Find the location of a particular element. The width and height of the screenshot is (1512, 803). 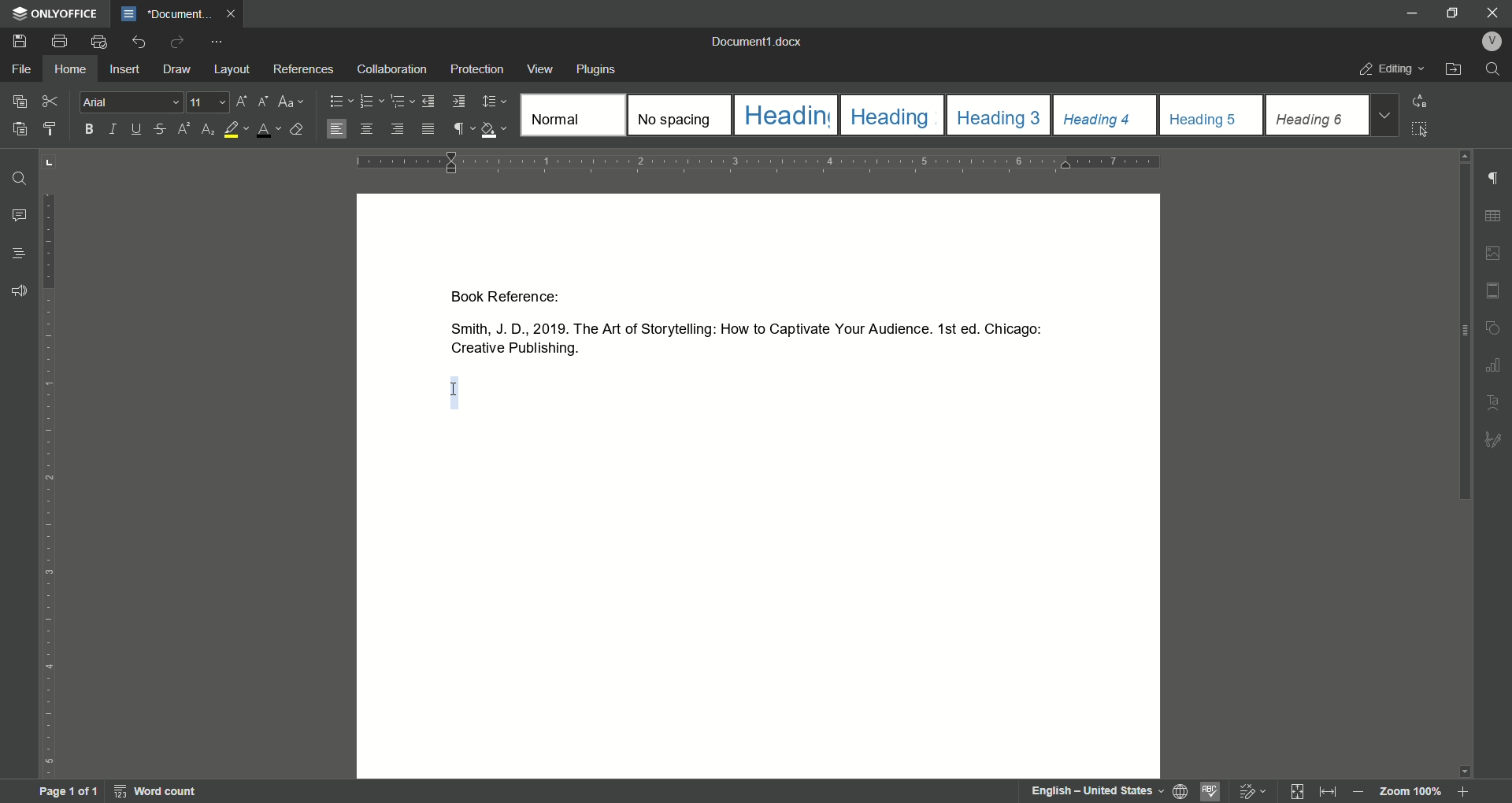

mouse pointer is located at coordinates (452, 392).